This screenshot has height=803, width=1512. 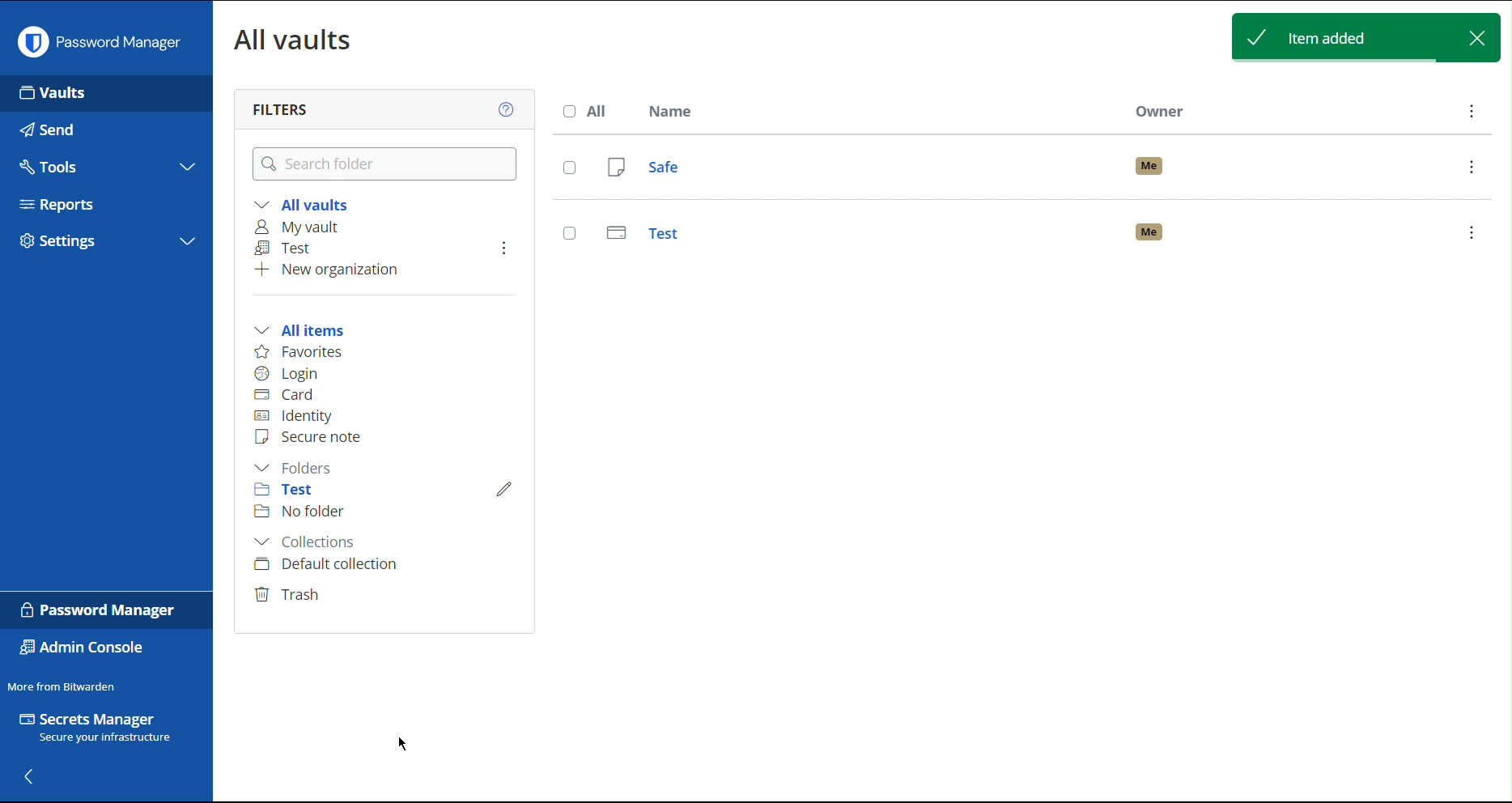 What do you see at coordinates (50, 163) in the screenshot?
I see `Tools` at bounding box center [50, 163].